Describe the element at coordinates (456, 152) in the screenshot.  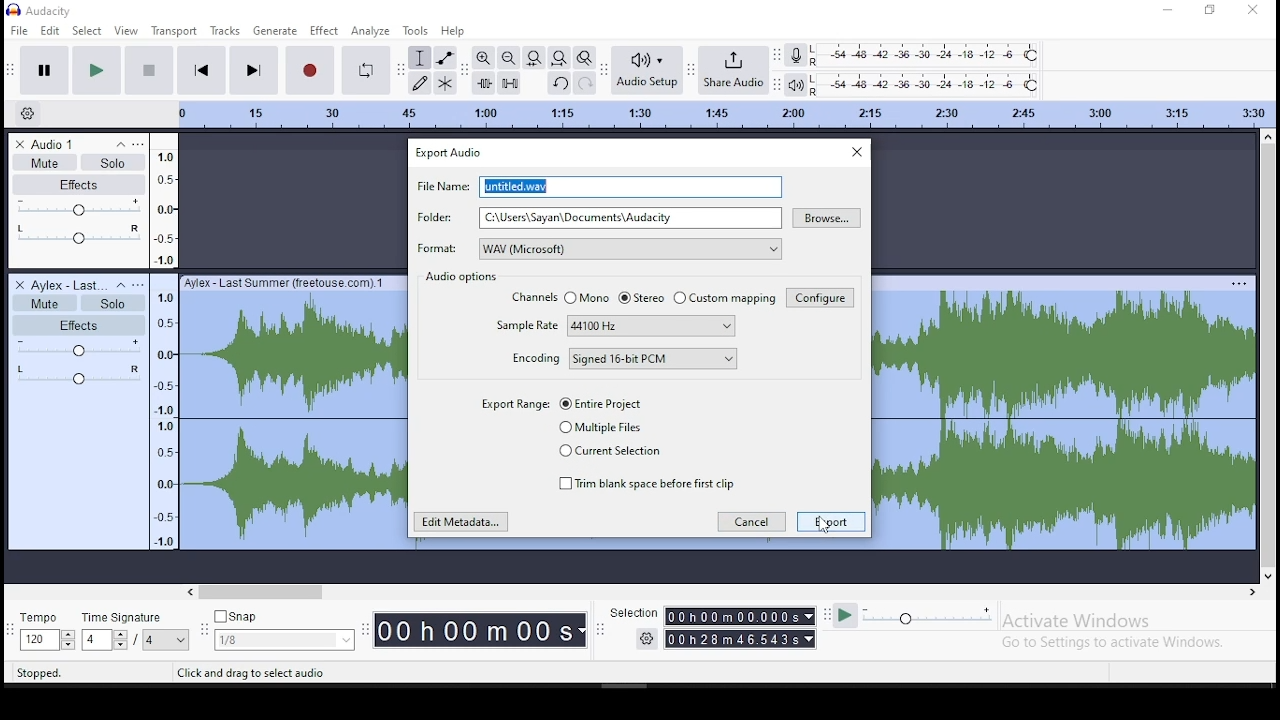
I see `export audio` at that location.